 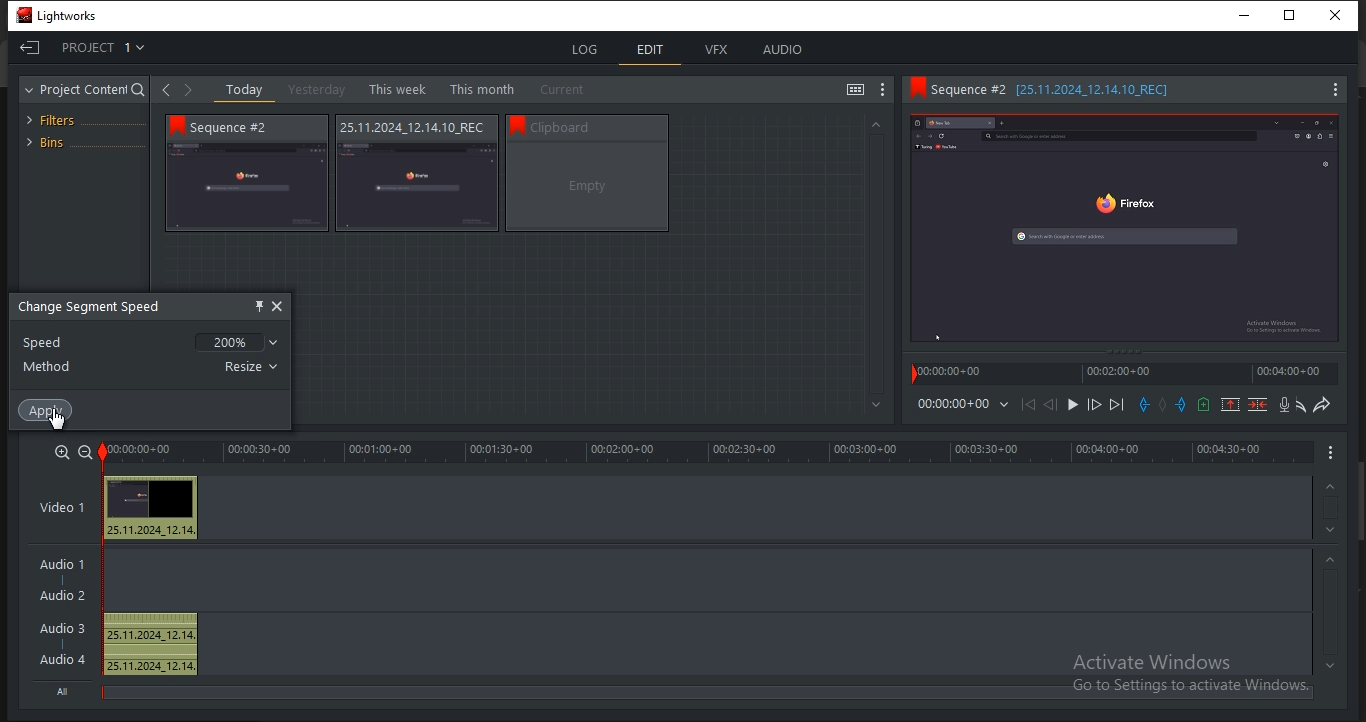 What do you see at coordinates (279, 306) in the screenshot?
I see `close` at bounding box center [279, 306].